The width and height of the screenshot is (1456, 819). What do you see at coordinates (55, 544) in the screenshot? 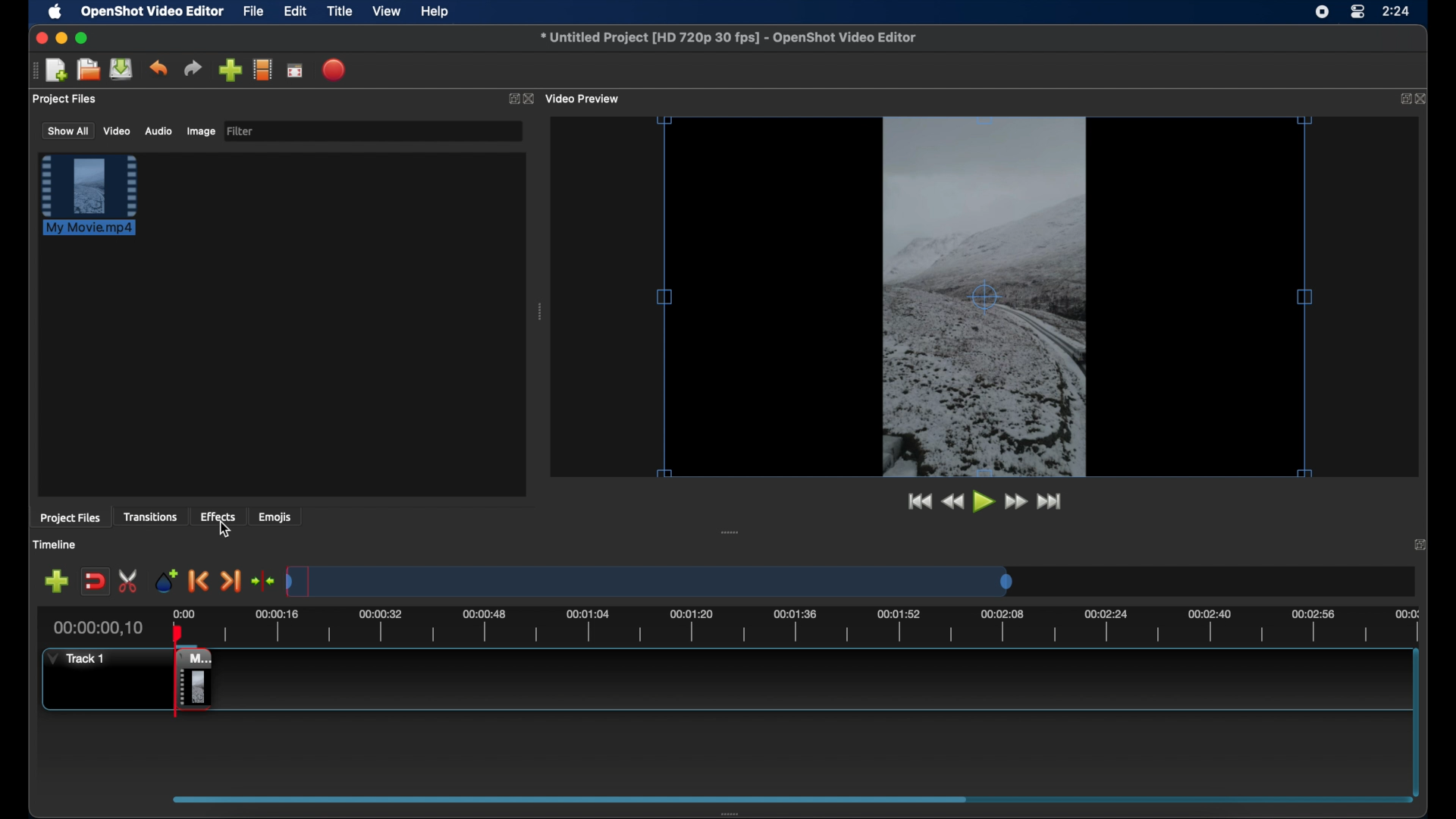
I see `timeline` at bounding box center [55, 544].